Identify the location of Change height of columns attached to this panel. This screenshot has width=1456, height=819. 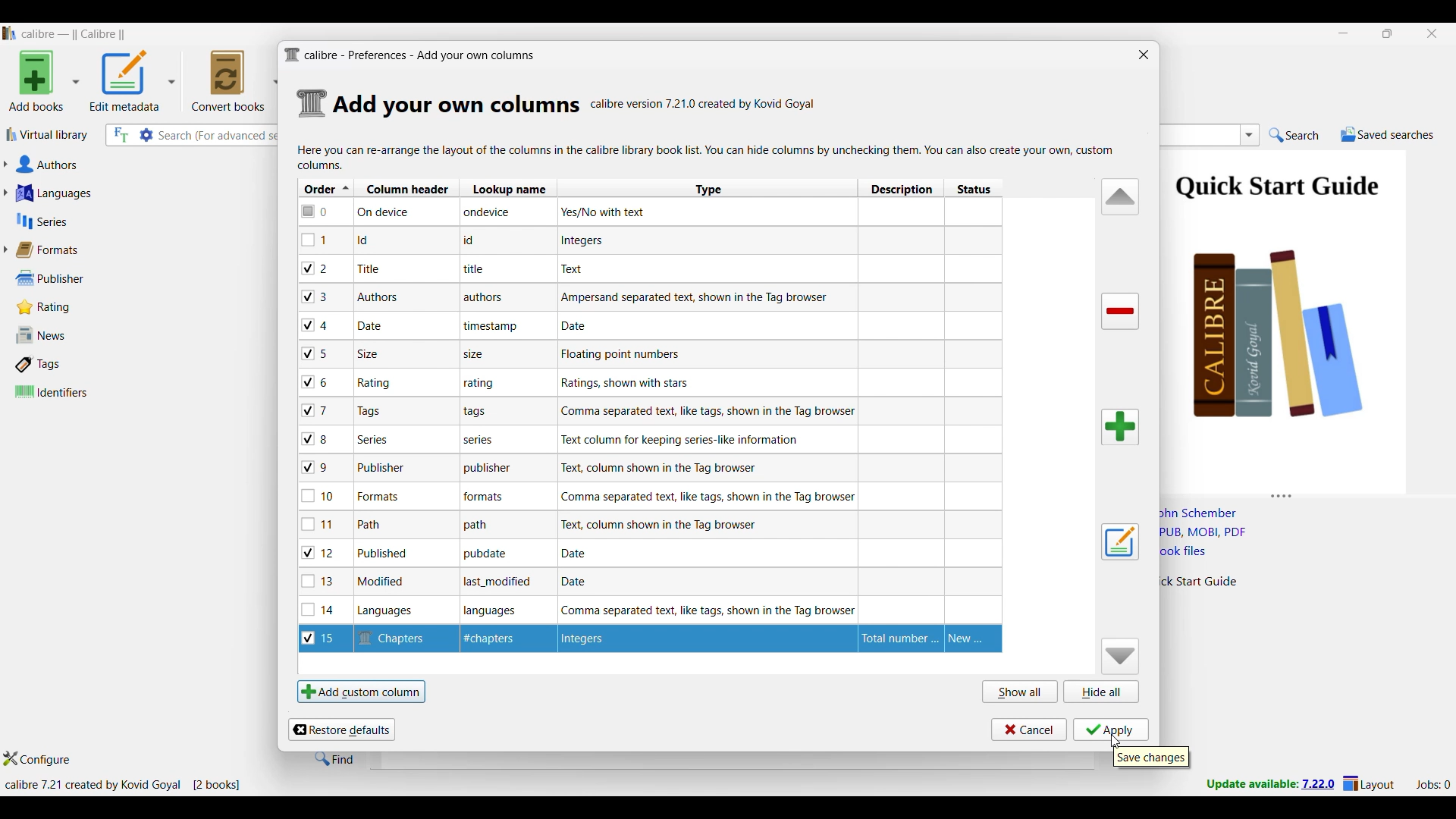
(1307, 493).